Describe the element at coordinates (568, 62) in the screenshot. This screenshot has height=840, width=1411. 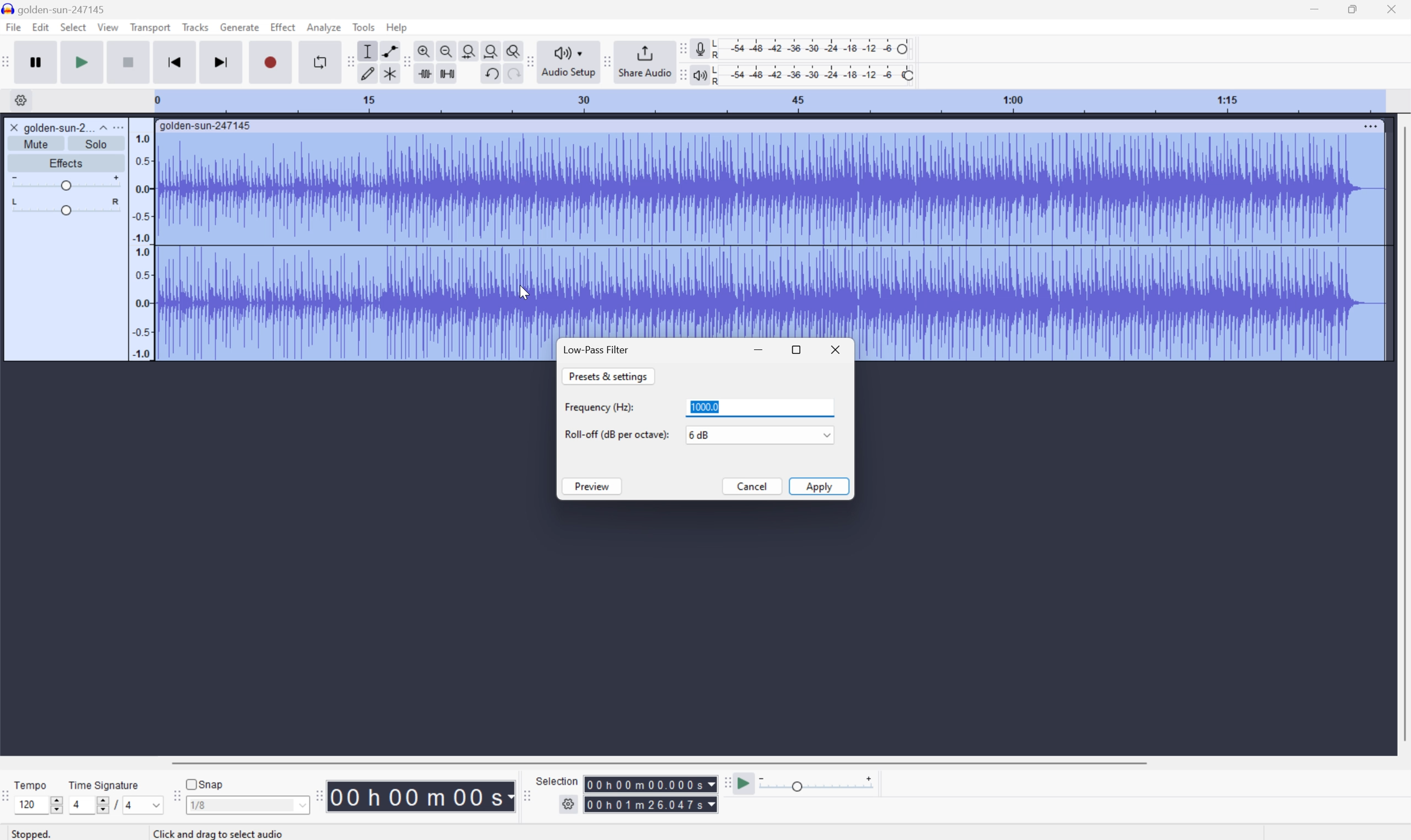
I see `Audio Setup` at that location.